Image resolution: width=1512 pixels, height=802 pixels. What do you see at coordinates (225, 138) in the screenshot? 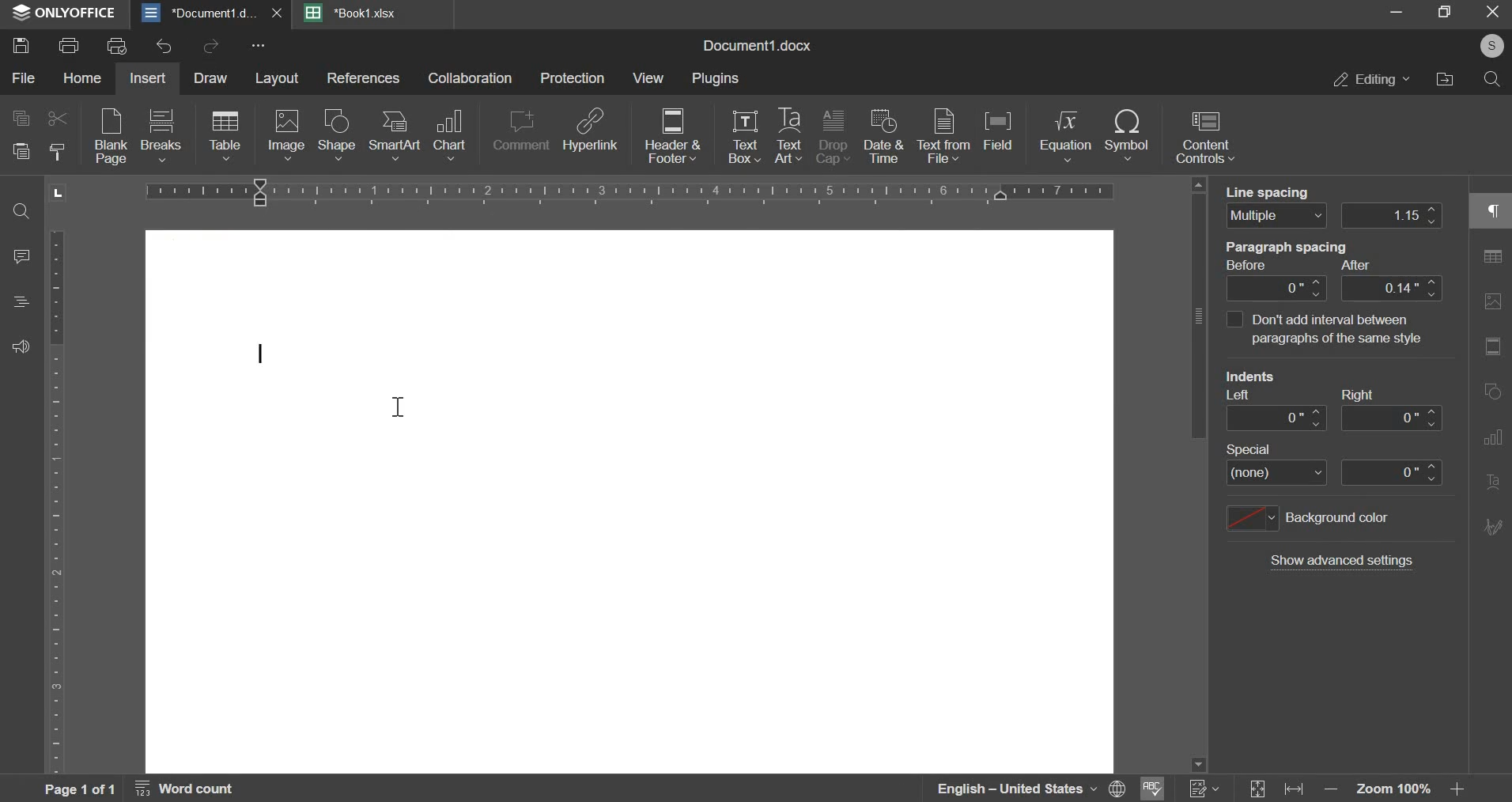
I see `table` at bounding box center [225, 138].